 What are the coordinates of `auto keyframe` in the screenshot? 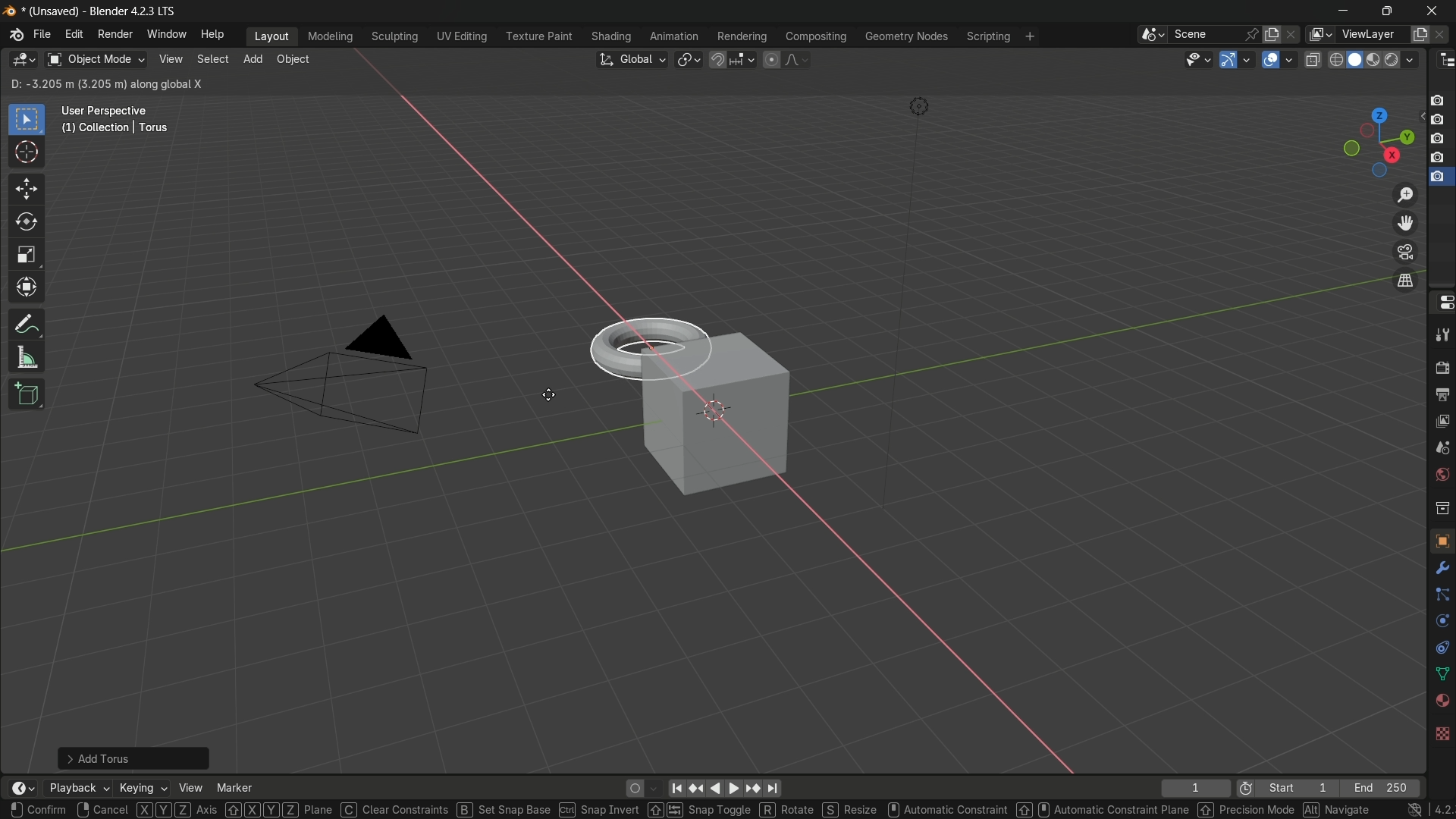 It's located at (653, 789).